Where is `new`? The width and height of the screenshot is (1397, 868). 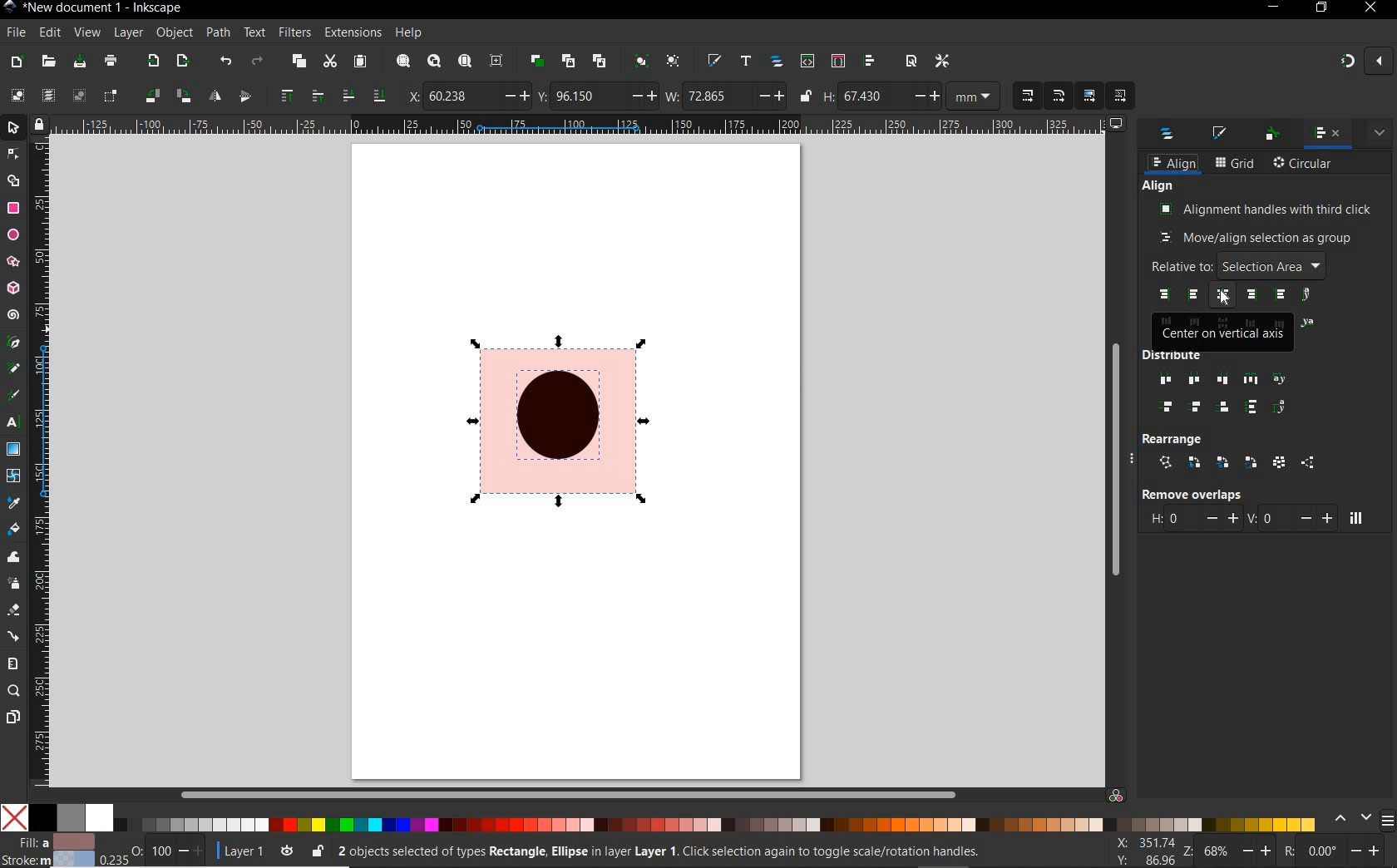
new is located at coordinates (17, 63).